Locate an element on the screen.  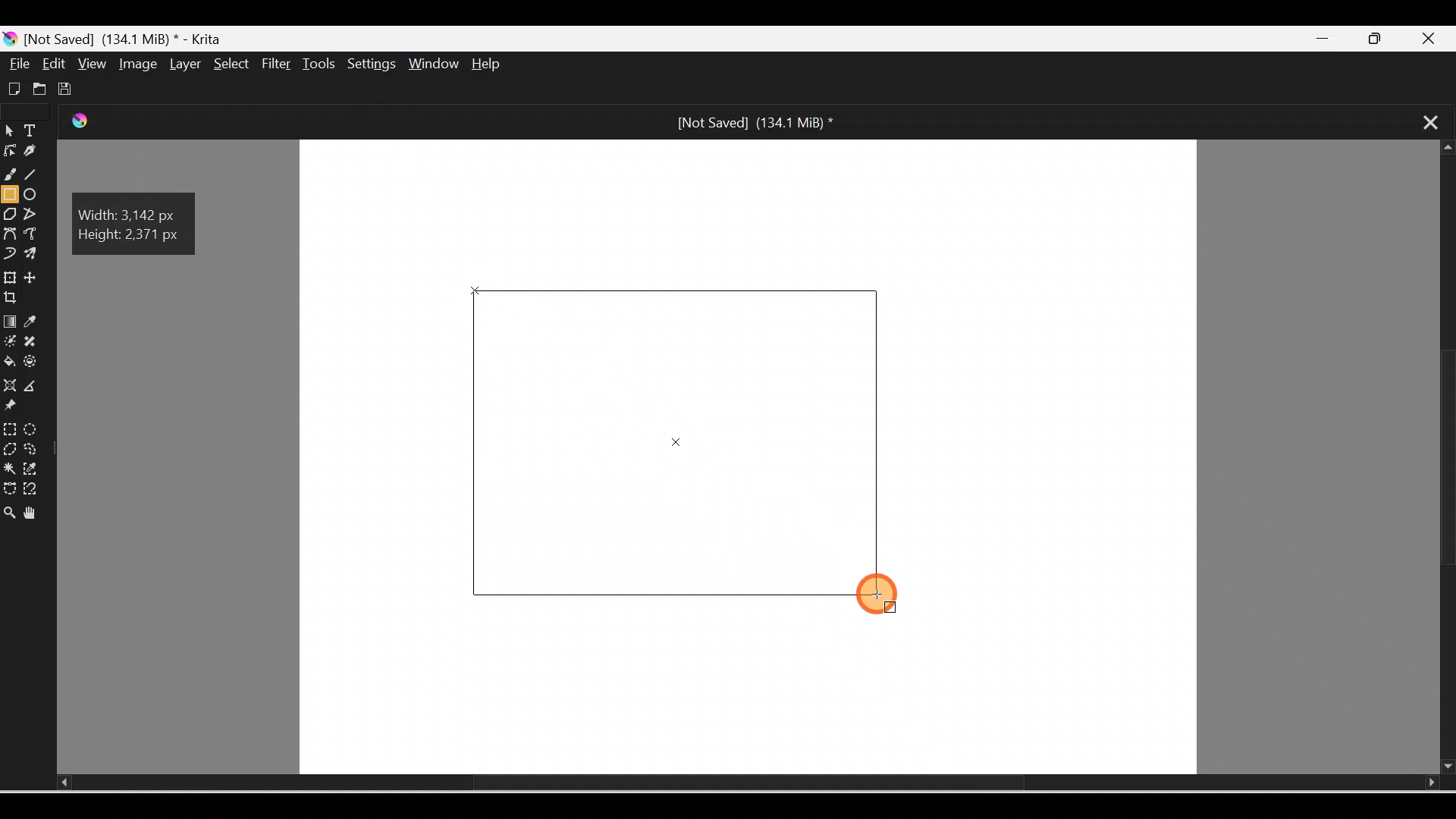
Smart patch tool is located at coordinates (37, 342).